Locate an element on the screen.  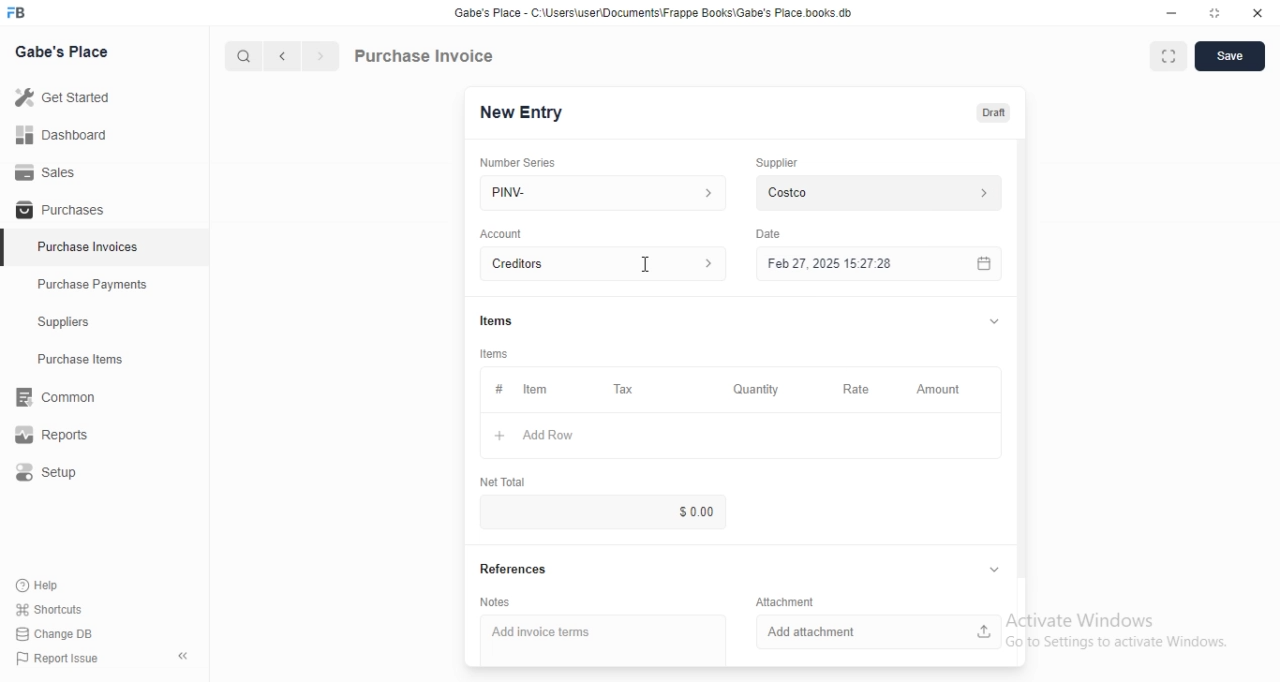
Amount is located at coordinates (943, 390).